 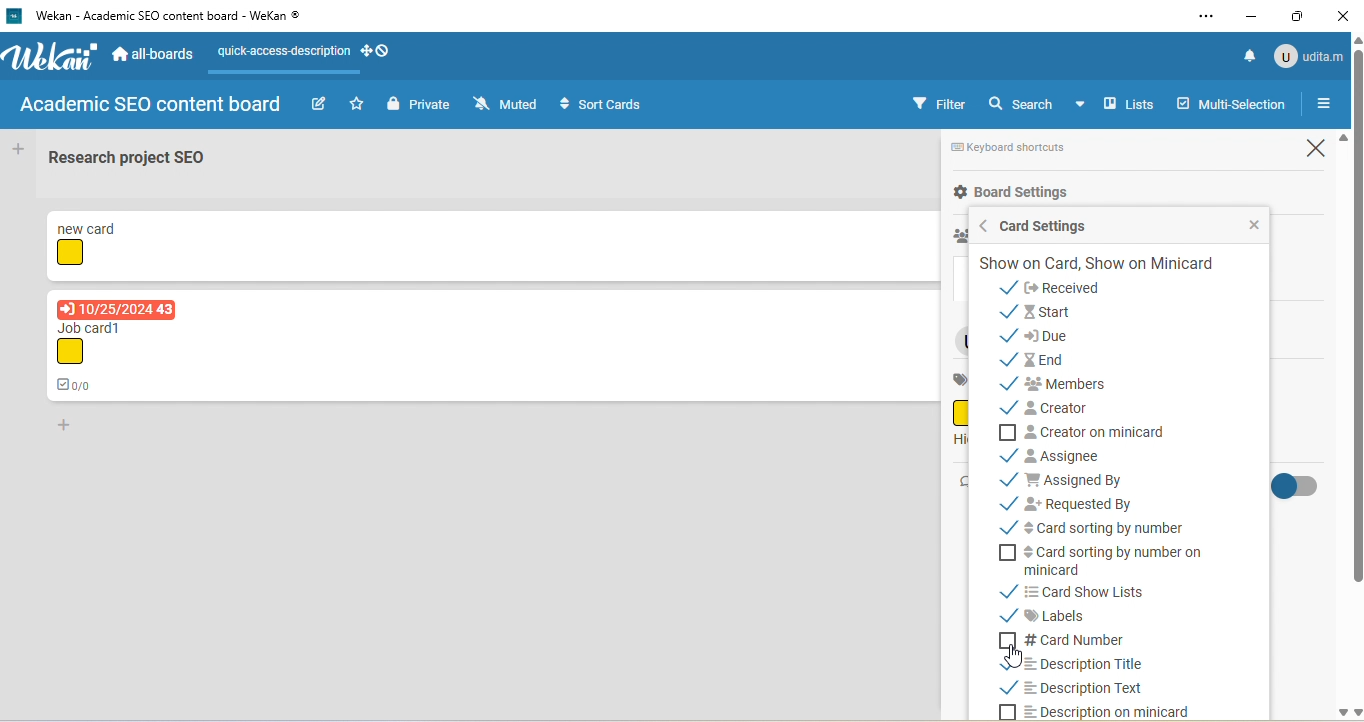 What do you see at coordinates (153, 107) in the screenshot?
I see `academic seo content board` at bounding box center [153, 107].